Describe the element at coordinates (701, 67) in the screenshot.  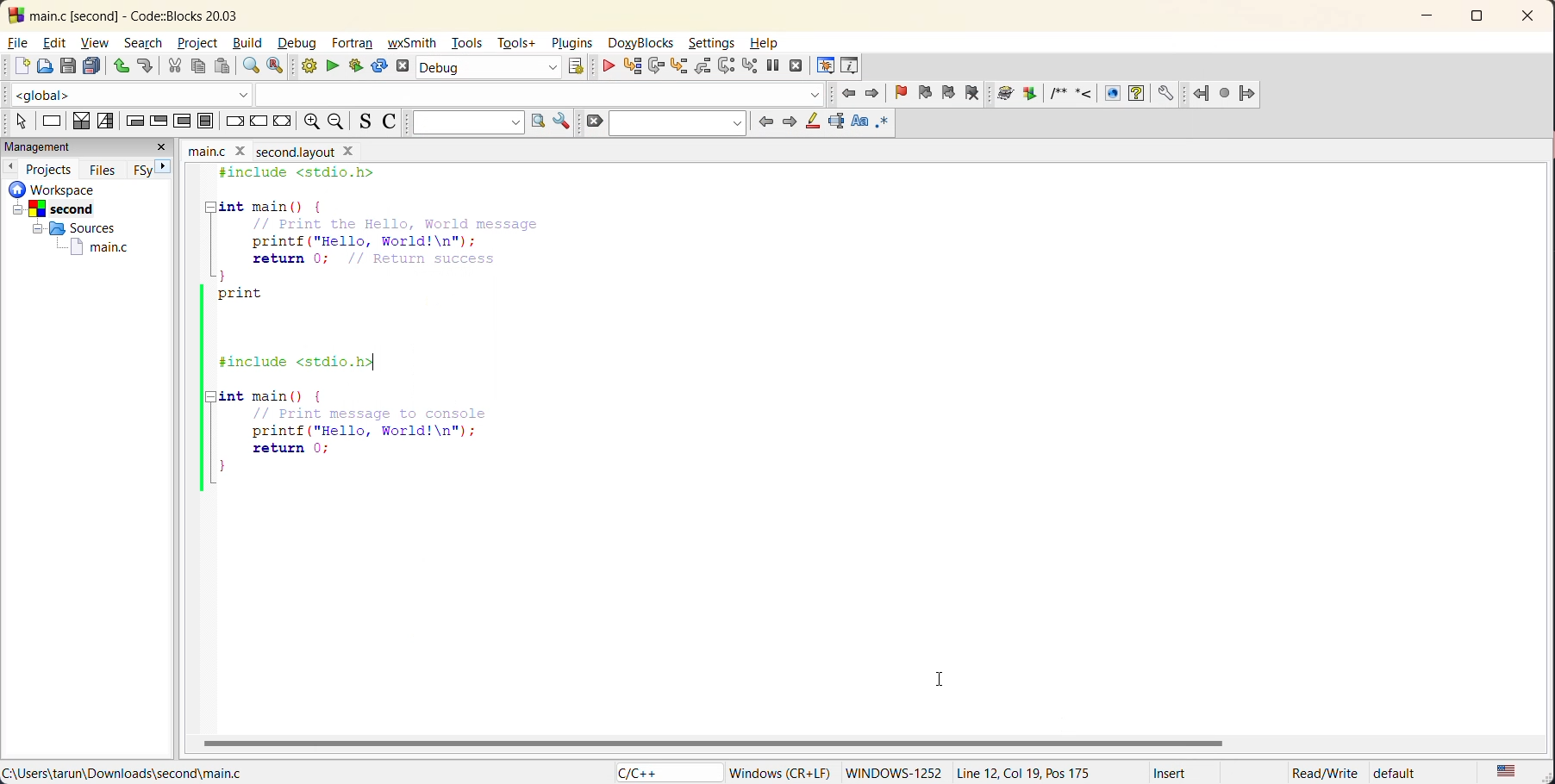
I see `step out` at that location.